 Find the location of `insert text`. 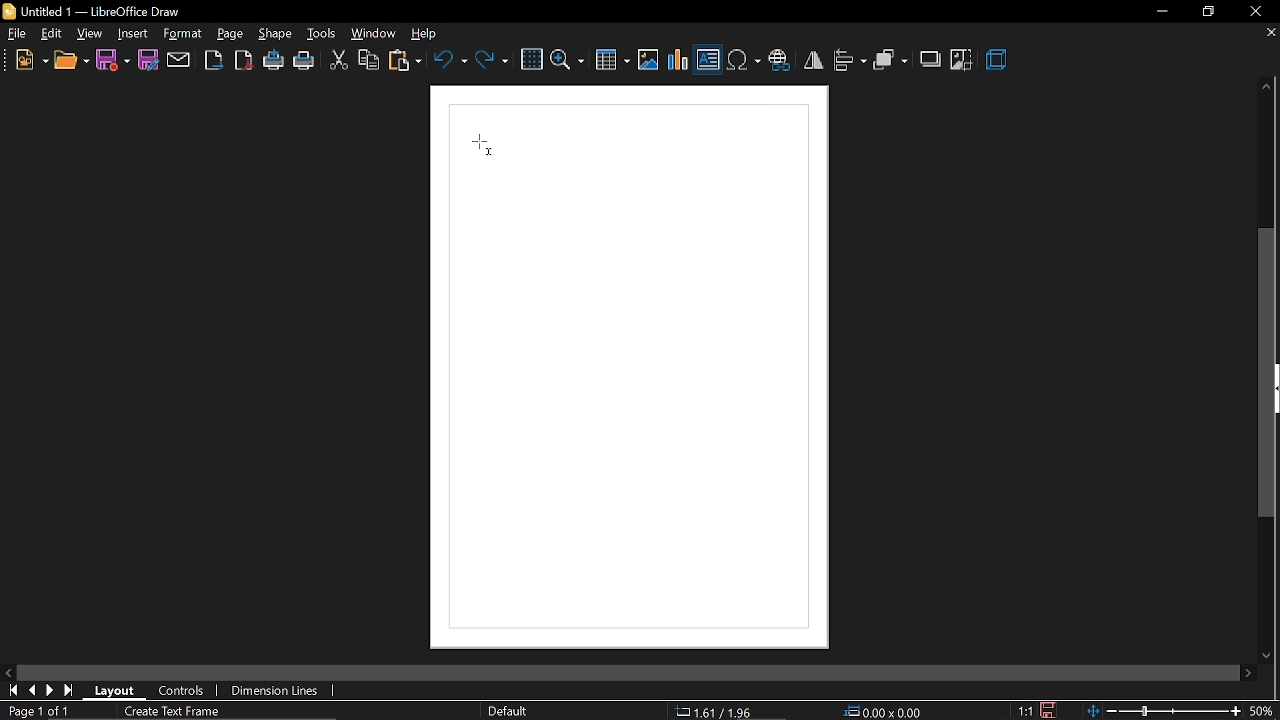

insert text is located at coordinates (708, 62).